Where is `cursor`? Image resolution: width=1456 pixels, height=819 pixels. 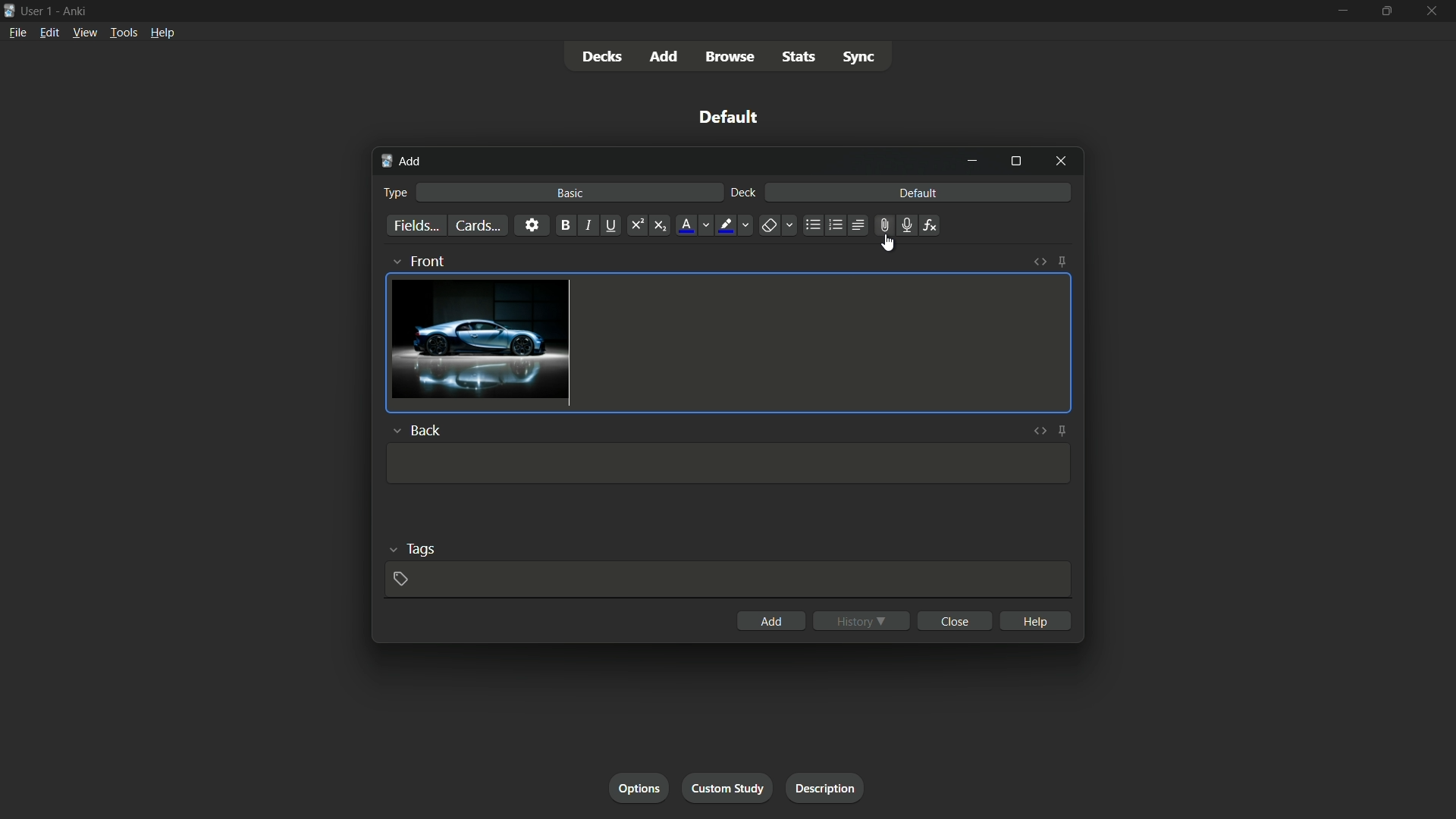 cursor is located at coordinates (891, 243).